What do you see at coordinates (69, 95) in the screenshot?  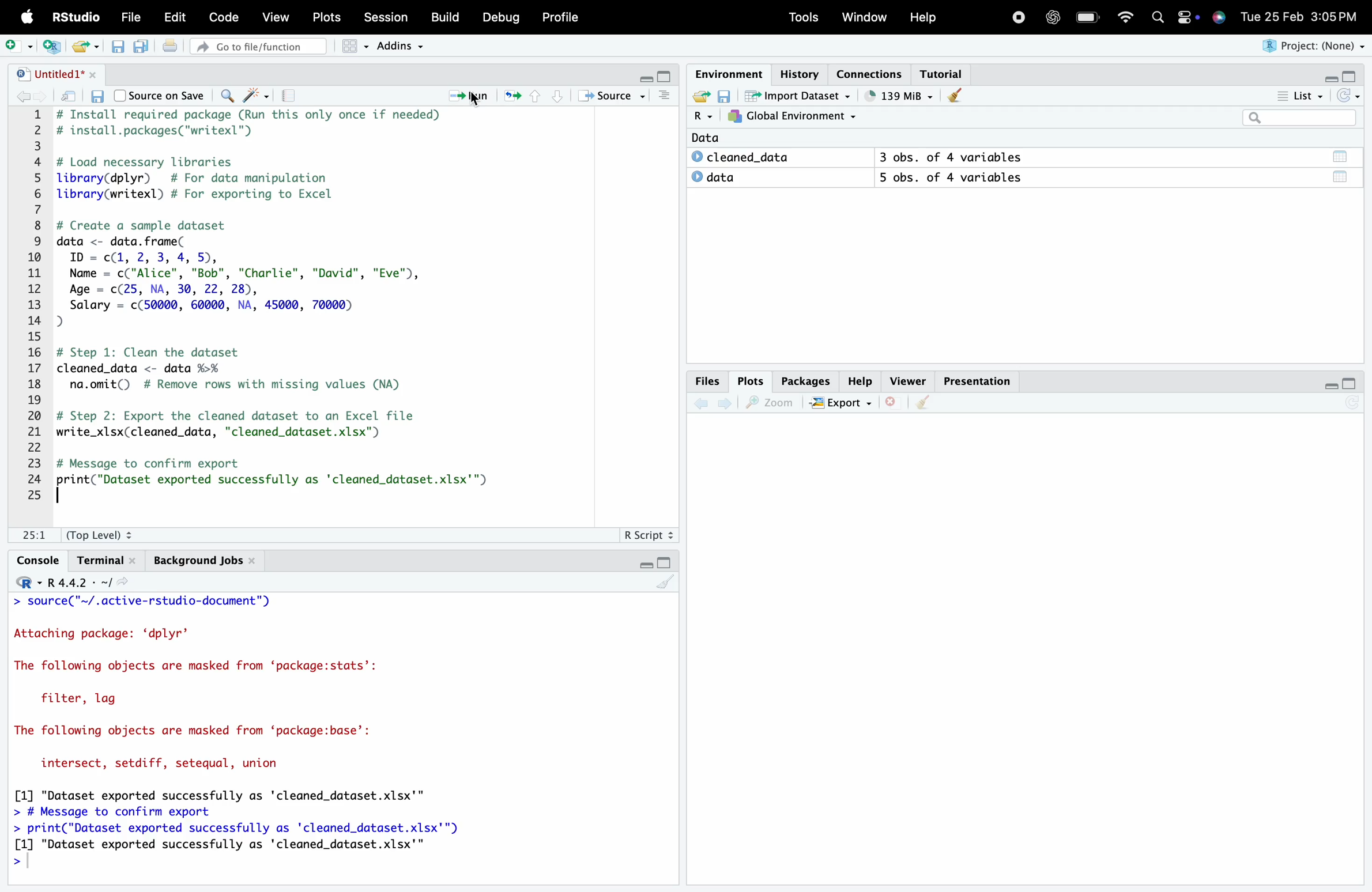 I see `Show in new window` at bounding box center [69, 95].